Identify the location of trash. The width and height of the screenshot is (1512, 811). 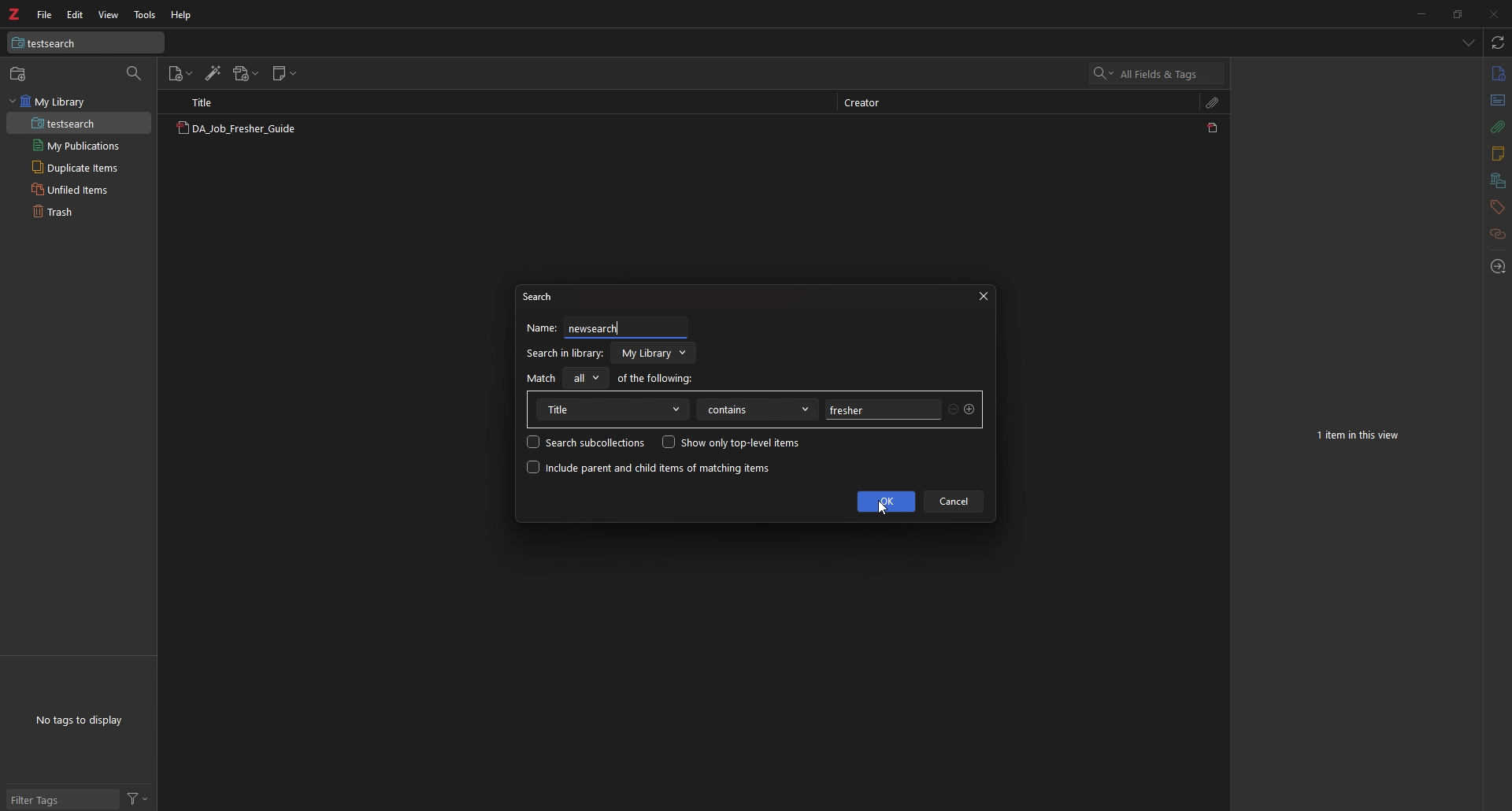
(78, 210).